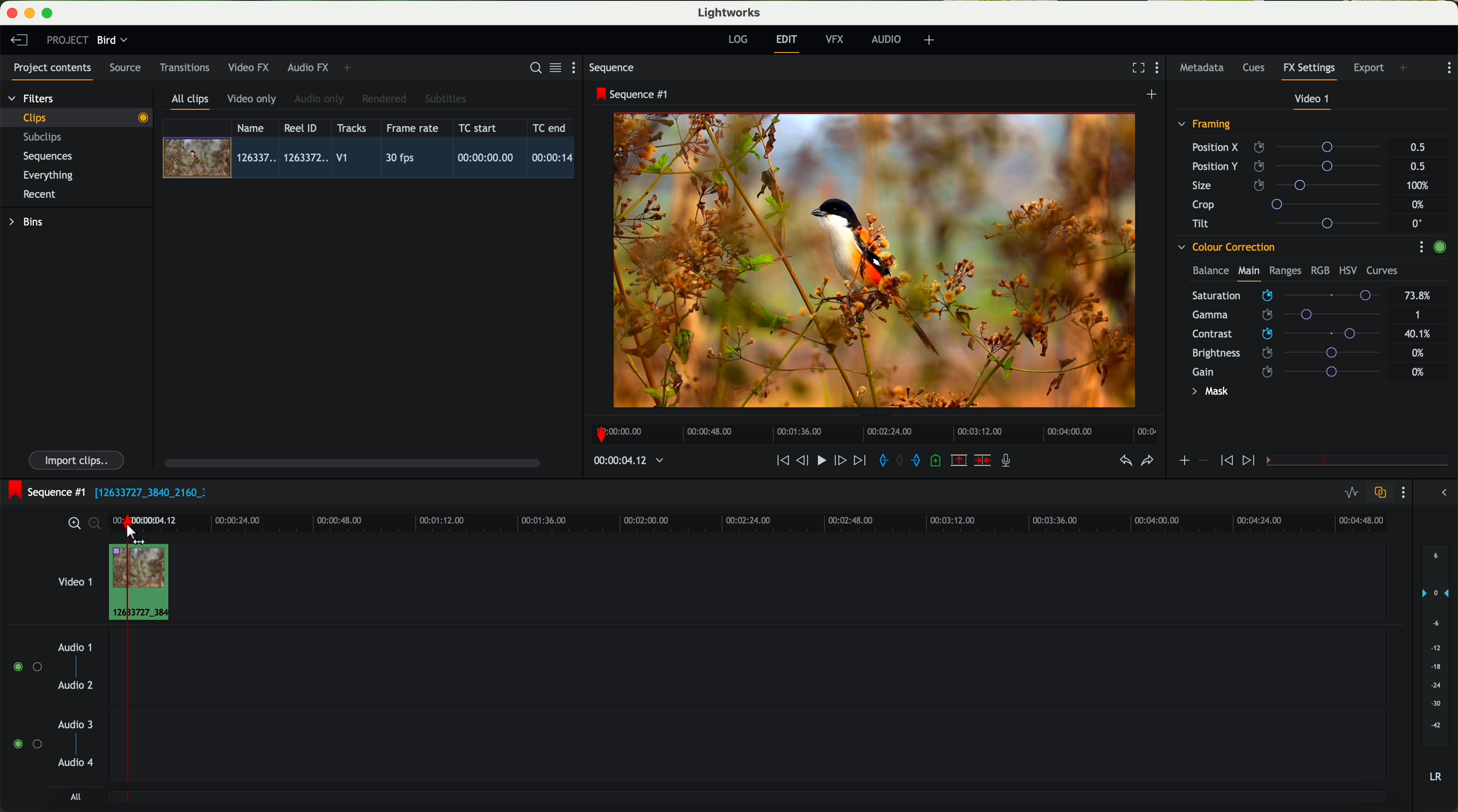 Image resolution: width=1458 pixels, height=812 pixels. I want to click on video FX, so click(251, 67).